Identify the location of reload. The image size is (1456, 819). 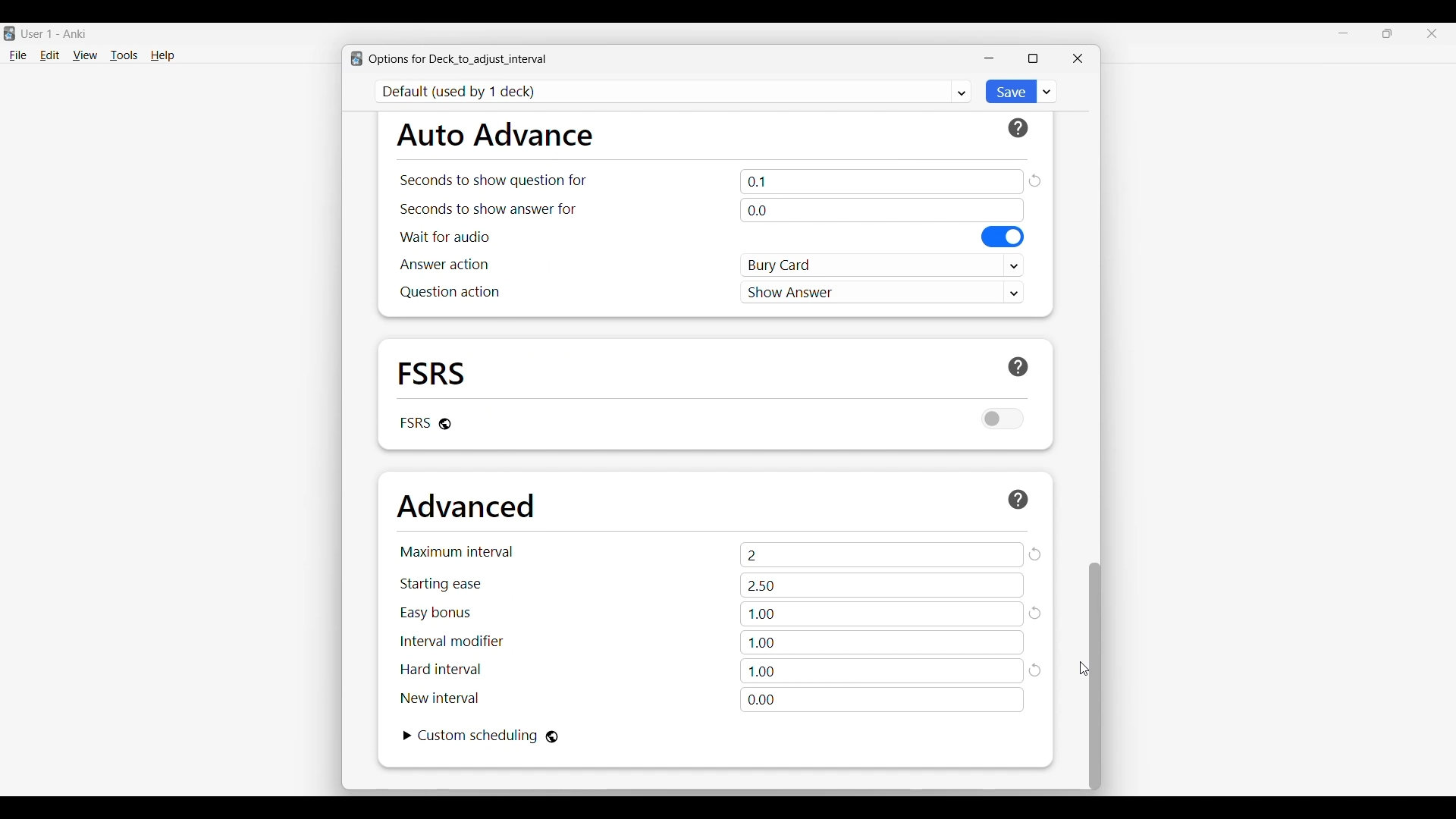
(1037, 672).